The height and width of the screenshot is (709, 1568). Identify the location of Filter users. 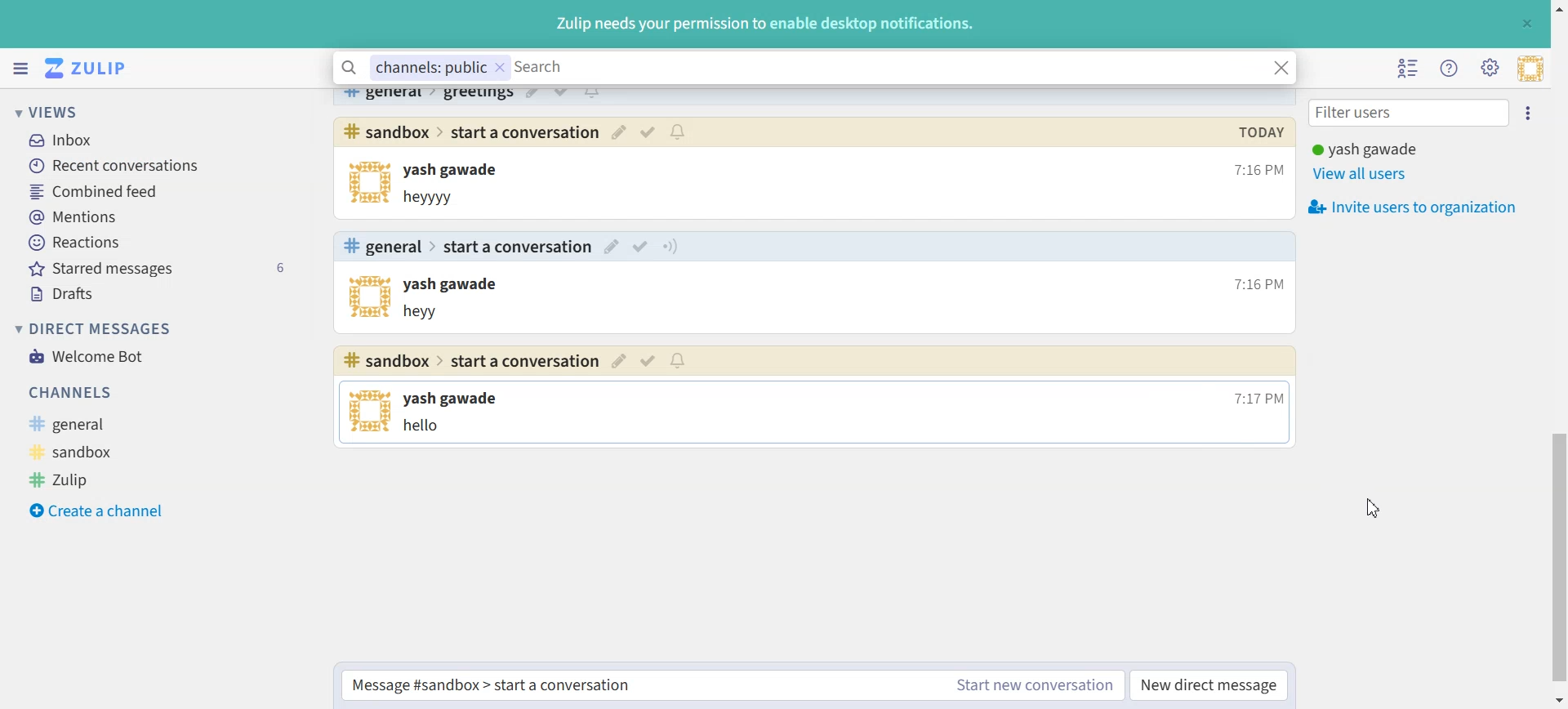
(1410, 114).